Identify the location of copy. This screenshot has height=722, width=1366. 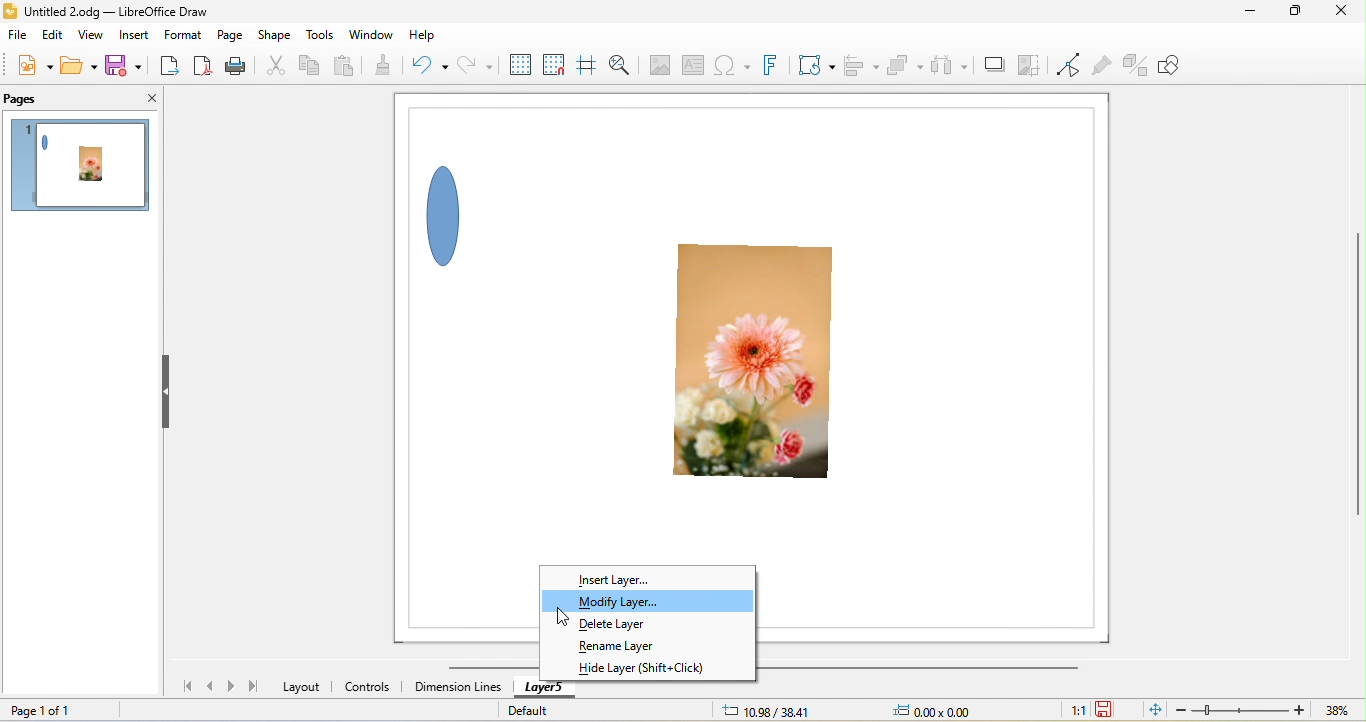
(311, 67).